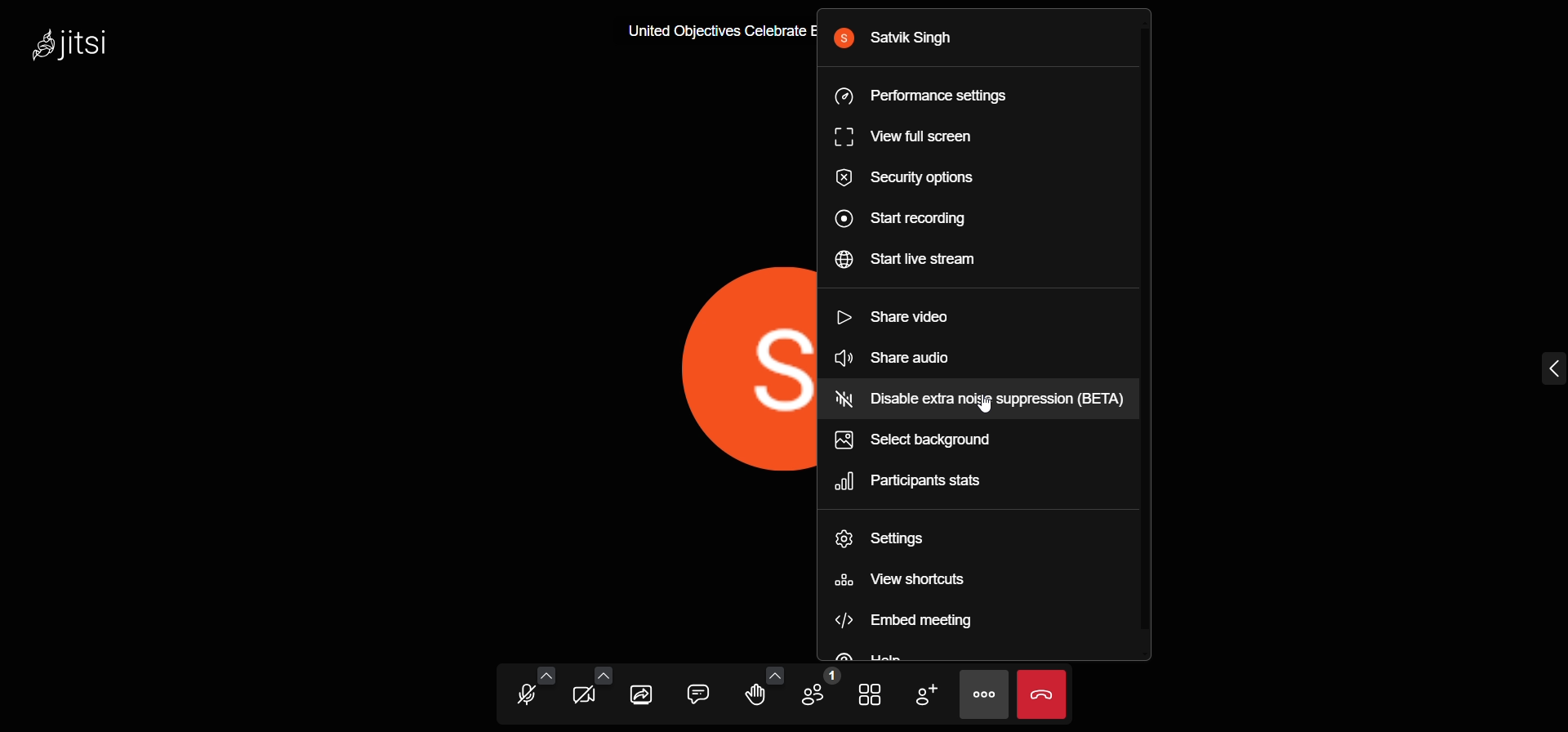  I want to click on more emoji, so click(774, 674).